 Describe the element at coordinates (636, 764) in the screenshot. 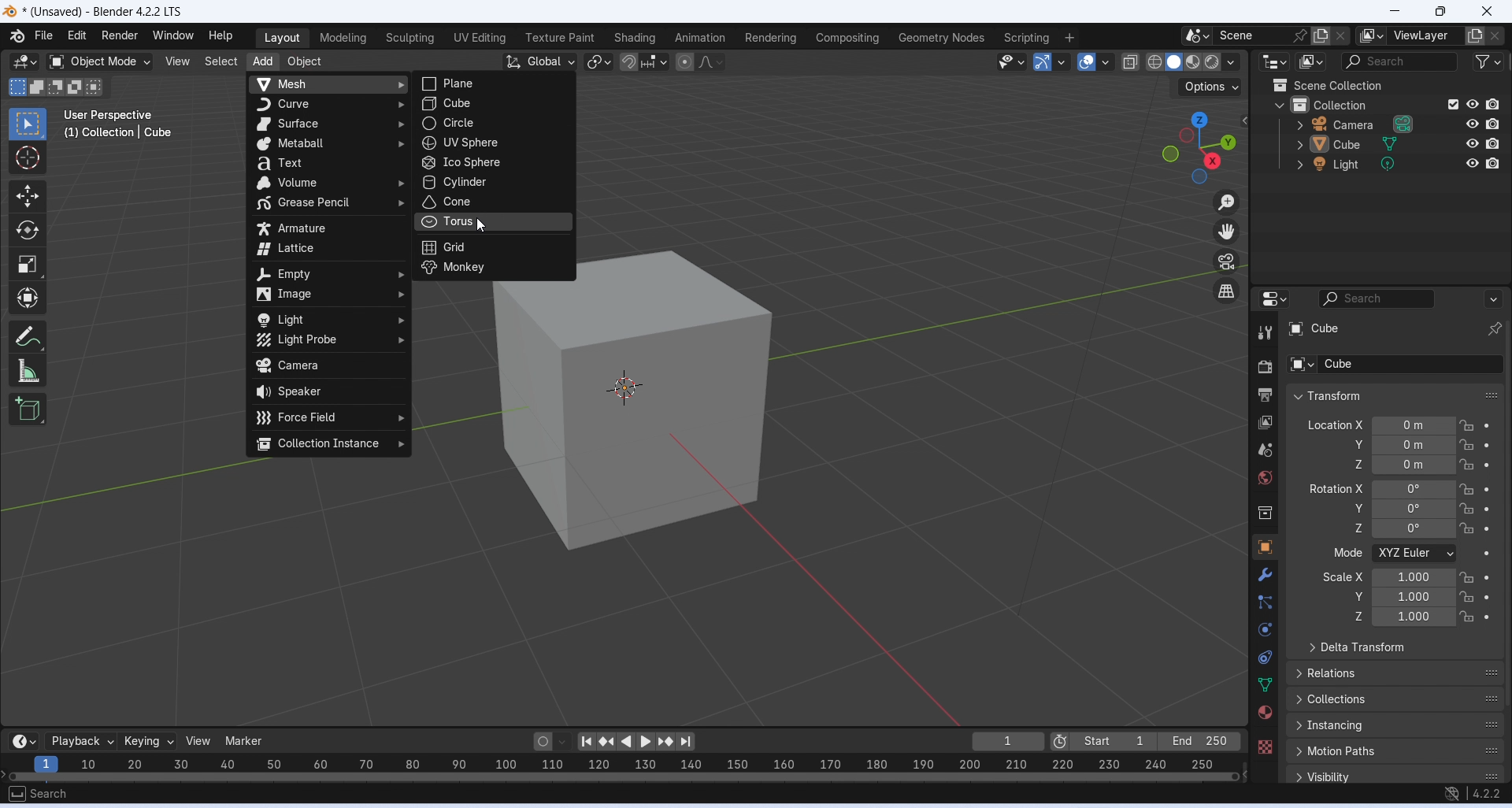

I see `scale` at that location.